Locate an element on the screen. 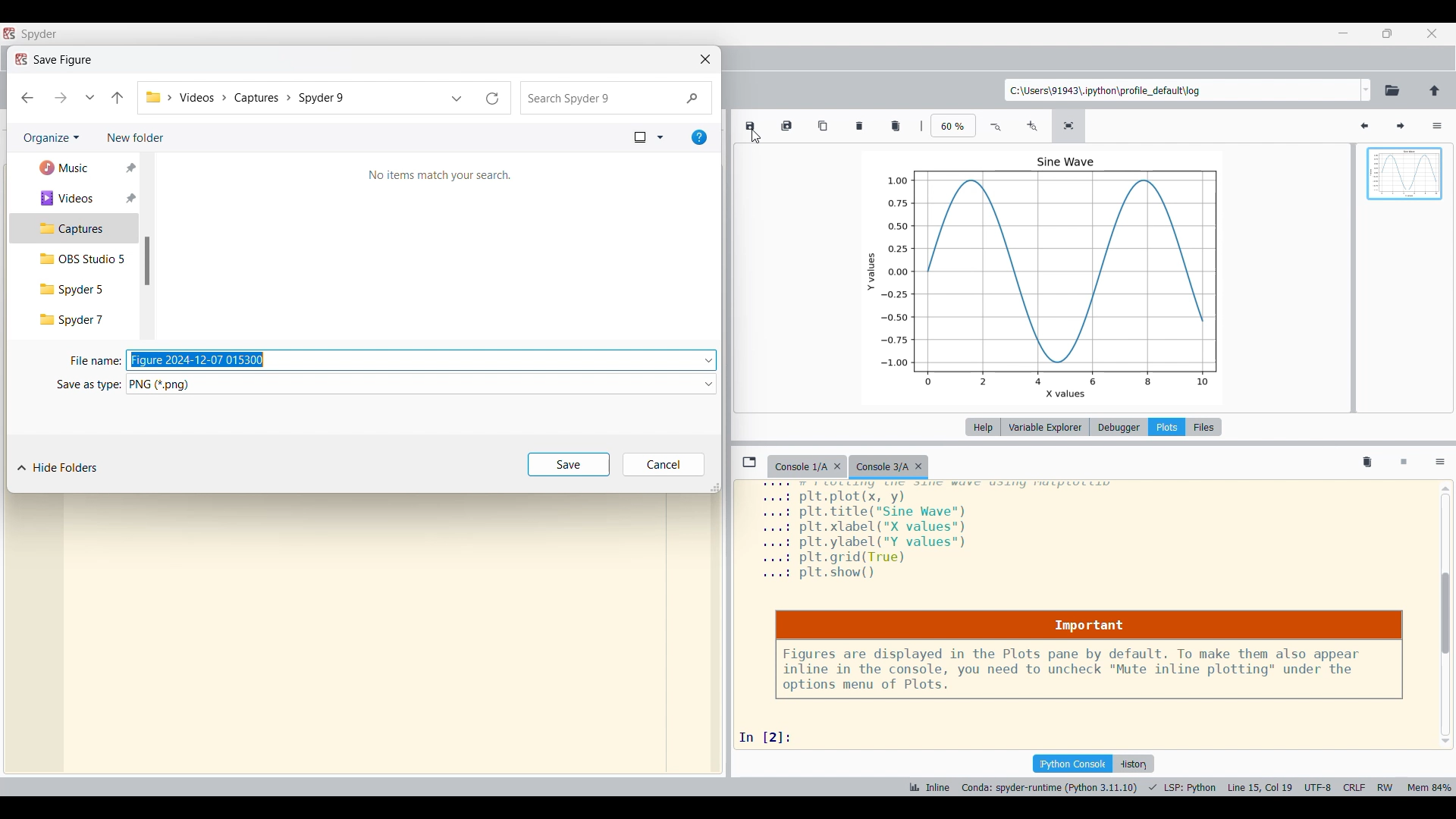 Image resolution: width=1456 pixels, height=819 pixels. CURSOR POSITION is located at coordinates (1260, 788).